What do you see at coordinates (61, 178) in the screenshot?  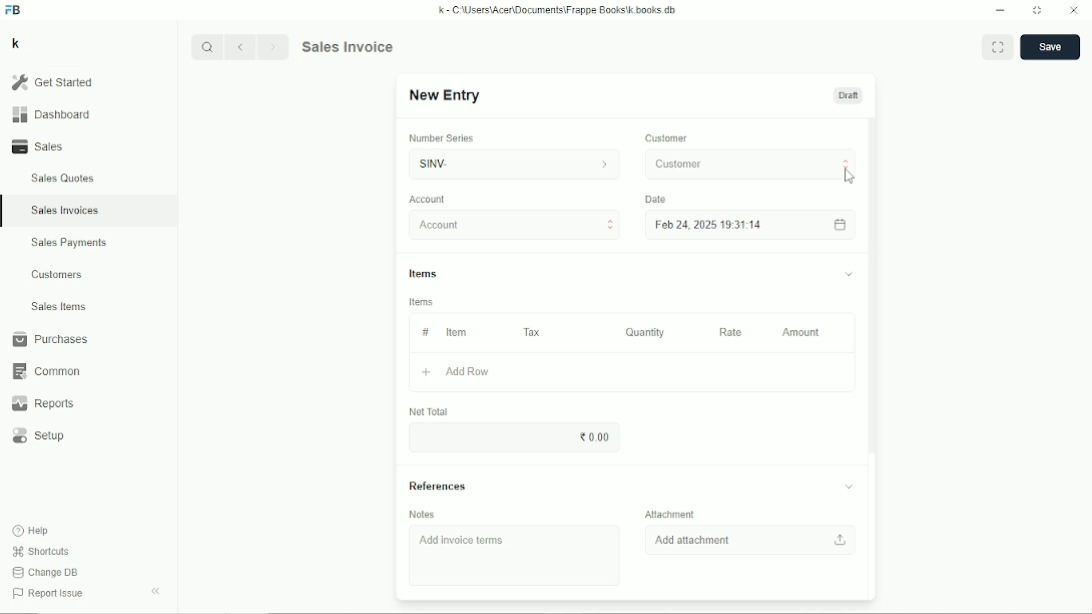 I see `Sales quotes` at bounding box center [61, 178].